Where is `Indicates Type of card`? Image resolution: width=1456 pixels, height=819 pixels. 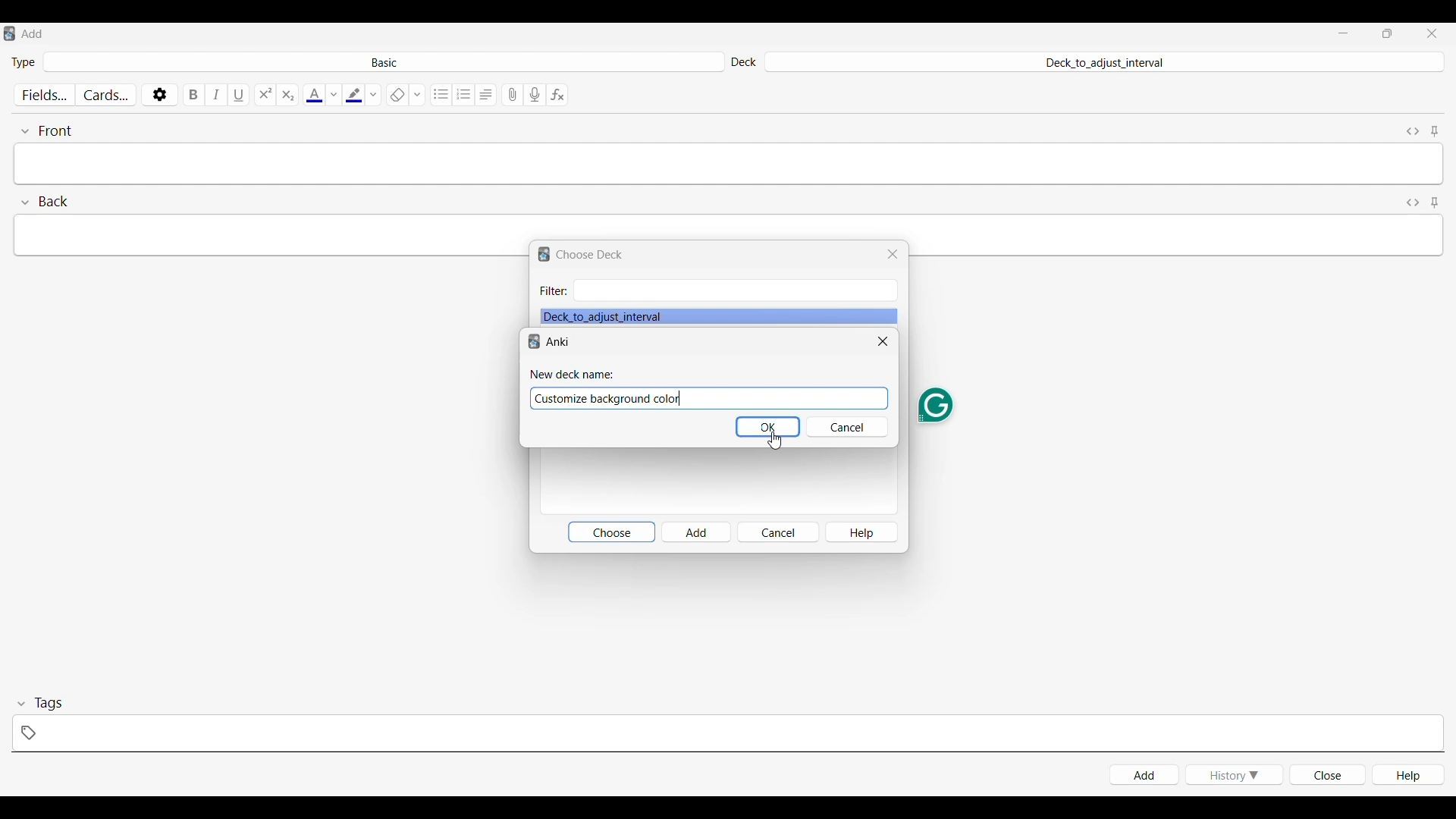
Indicates Type of card is located at coordinates (24, 62).